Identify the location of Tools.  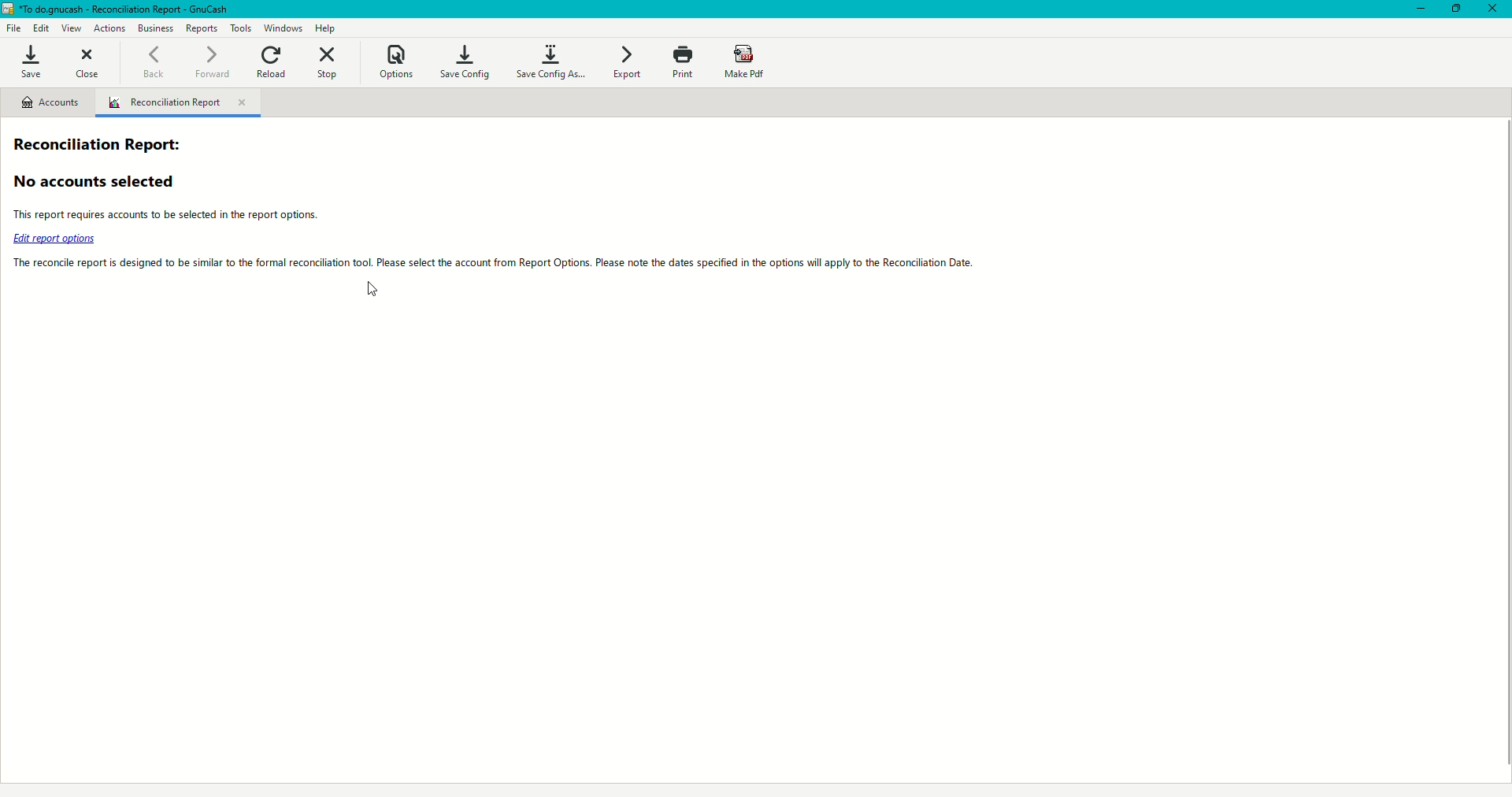
(243, 30).